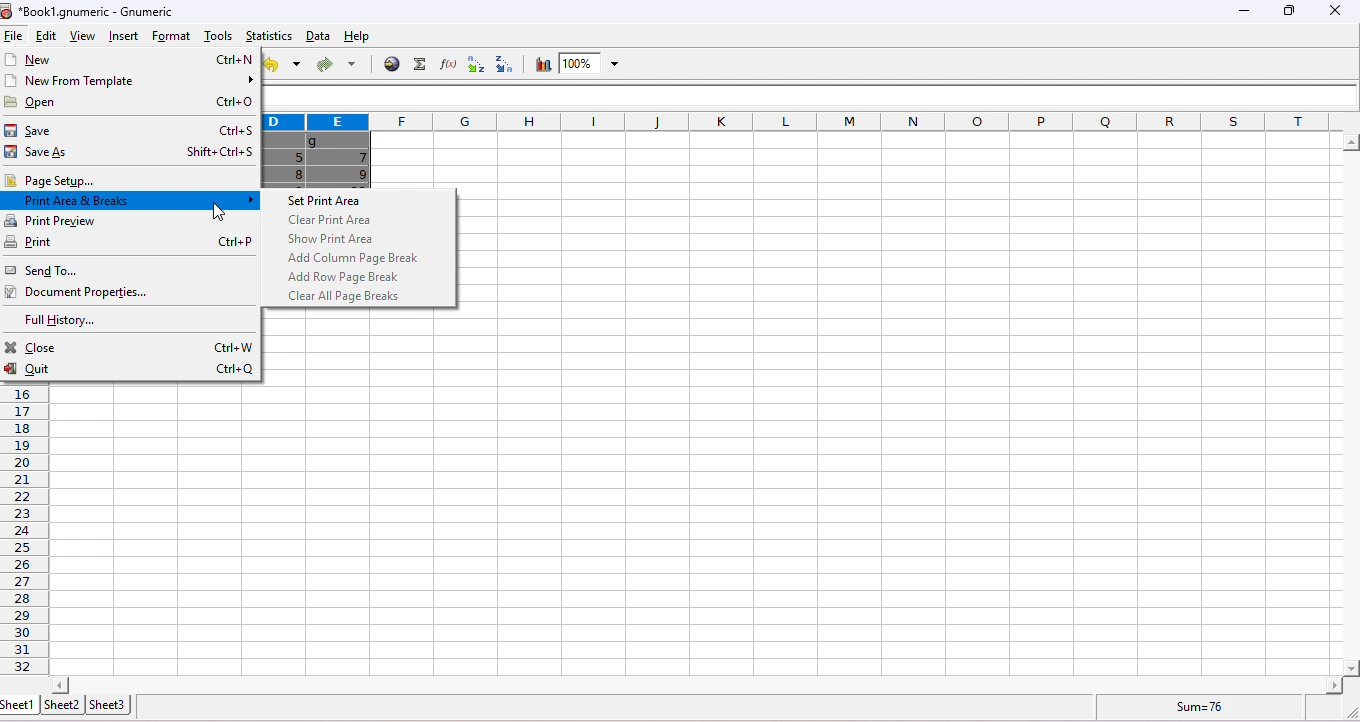 Image resolution: width=1360 pixels, height=722 pixels. I want to click on save, so click(133, 130).